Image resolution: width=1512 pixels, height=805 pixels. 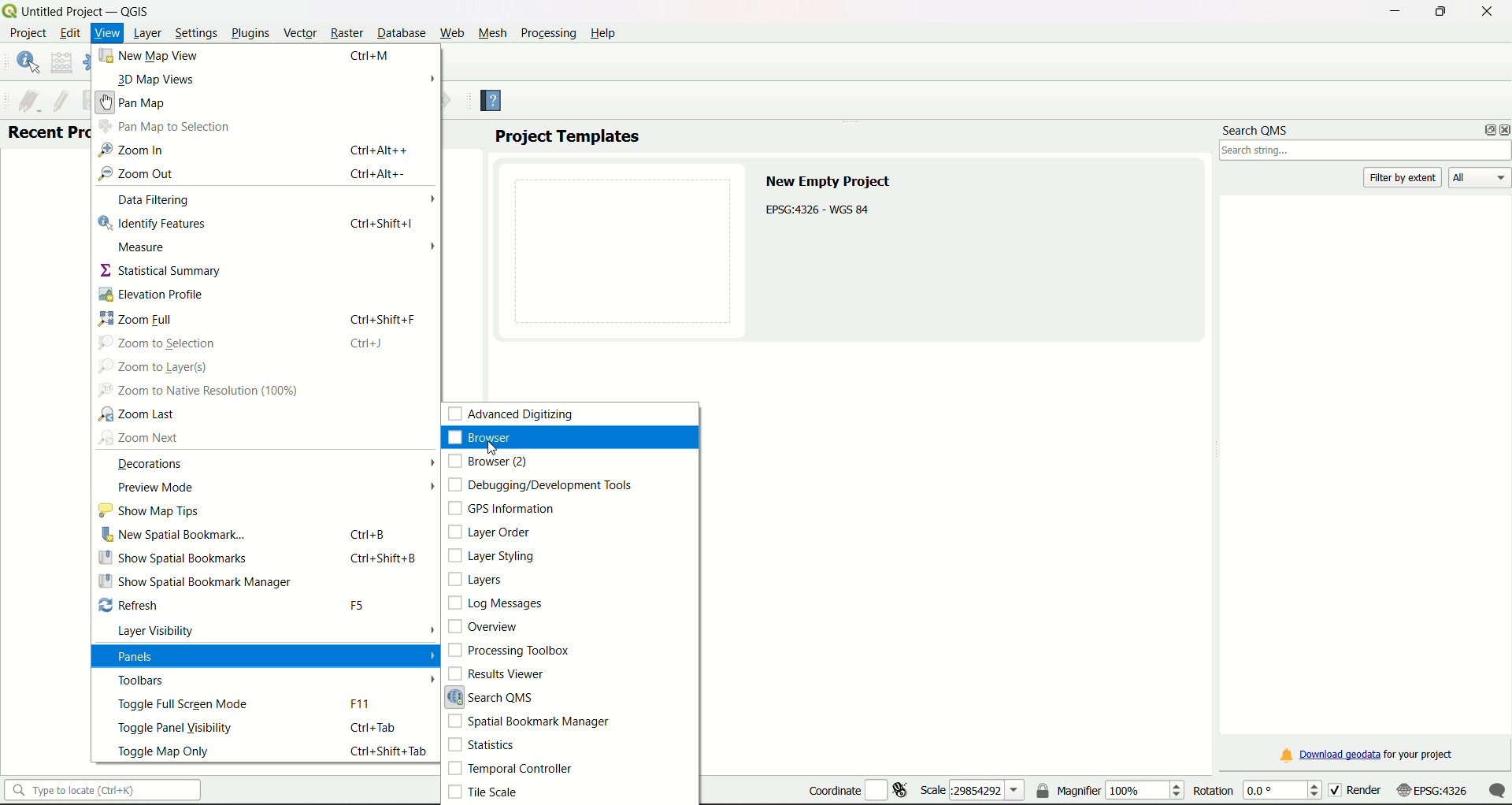 I want to click on Raster, so click(x=348, y=34).